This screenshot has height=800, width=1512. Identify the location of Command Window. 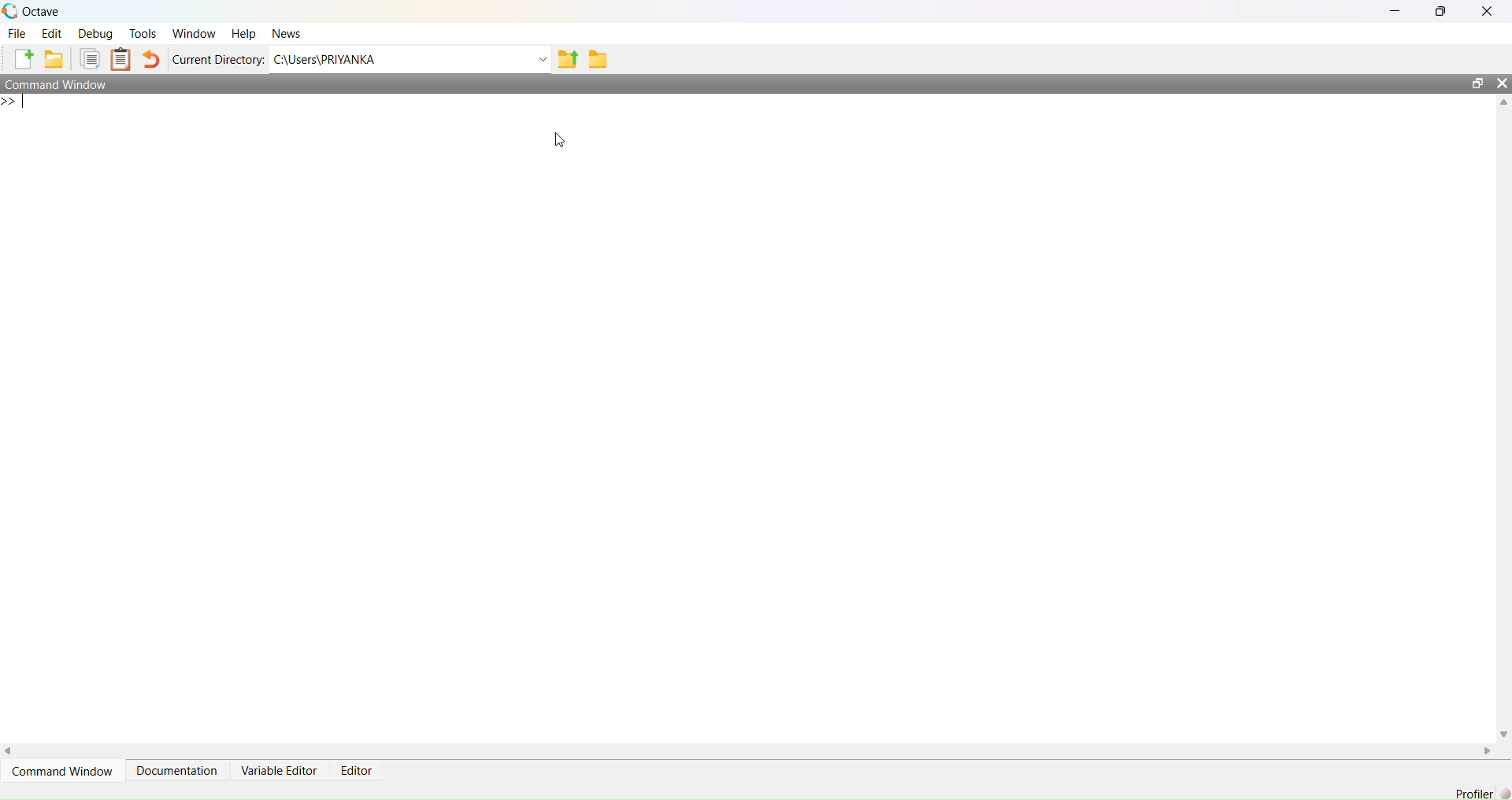
(60, 84).